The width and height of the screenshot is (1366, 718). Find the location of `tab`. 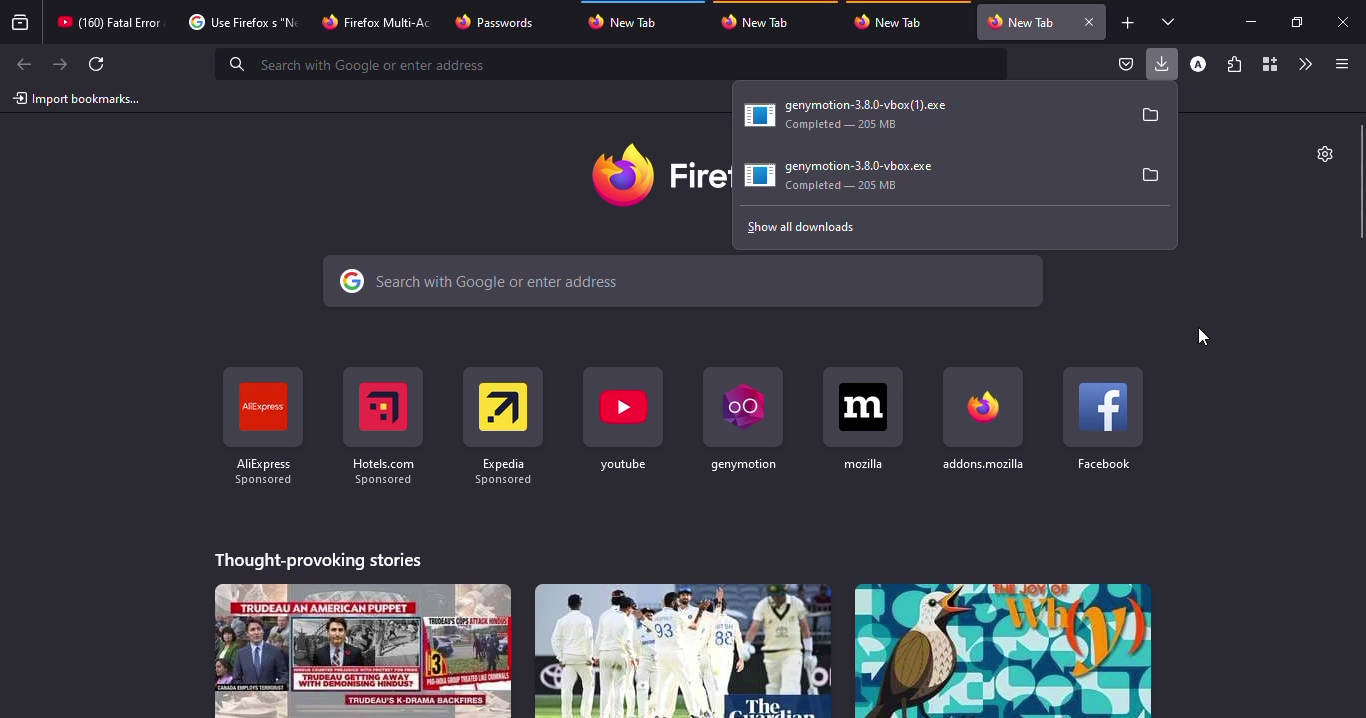

tab is located at coordinates (632, 19).